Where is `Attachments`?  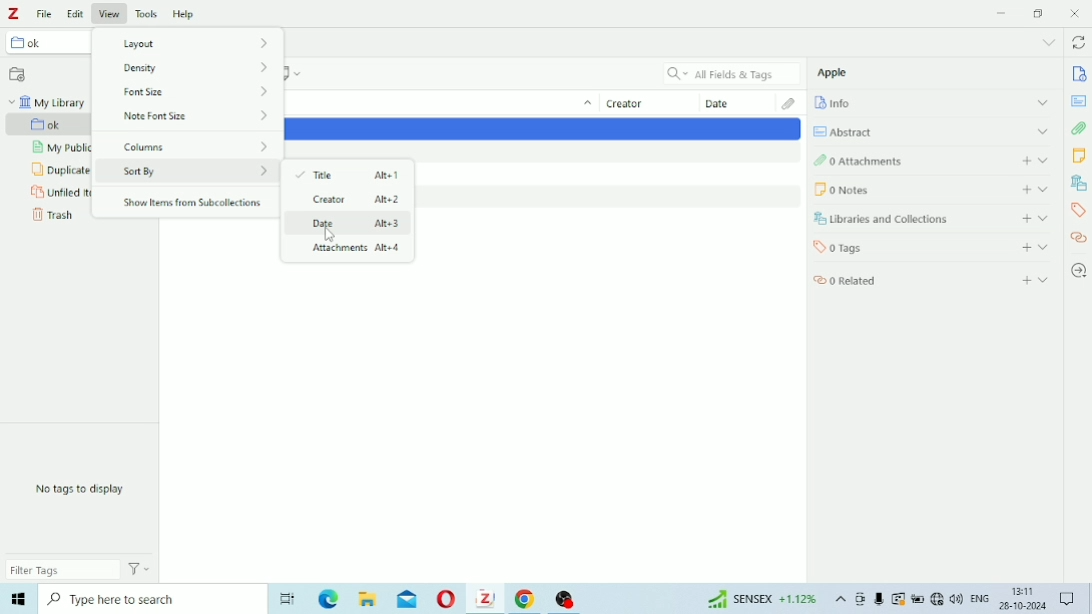 Attachments is located at coordinates (785, 103).